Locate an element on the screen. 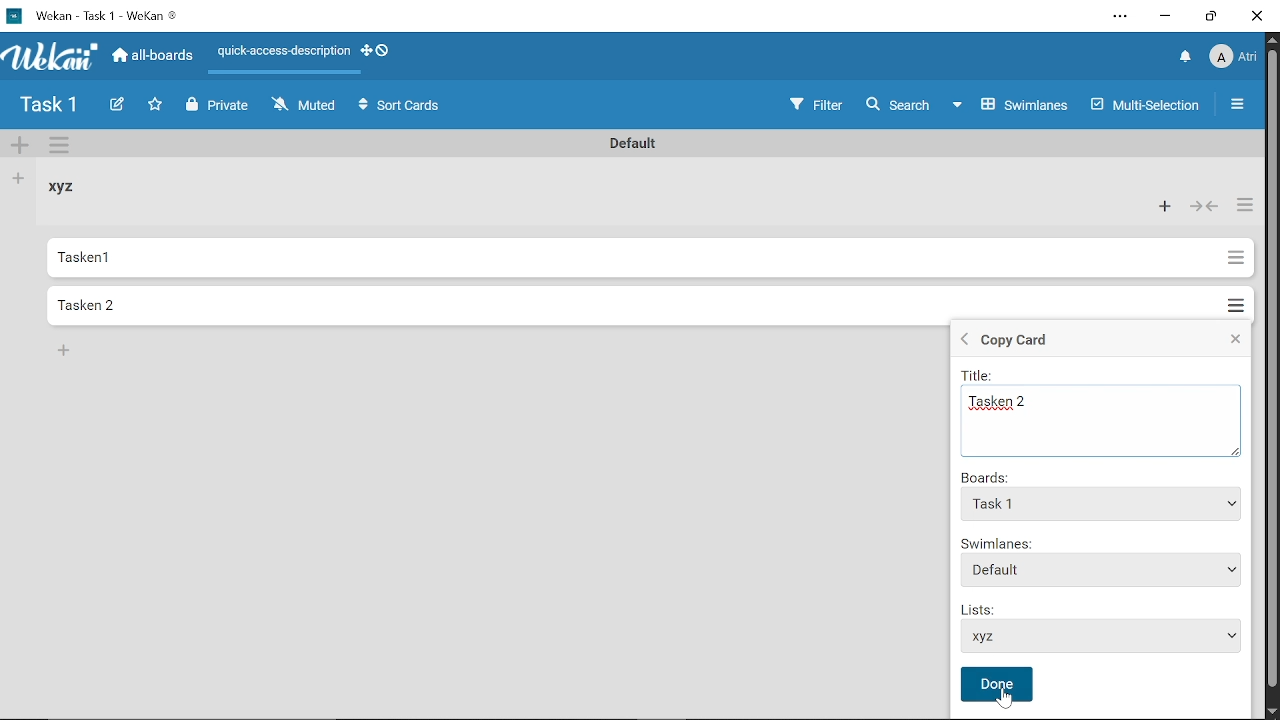  Tasken 2 is located at coordinates (1106, 406).